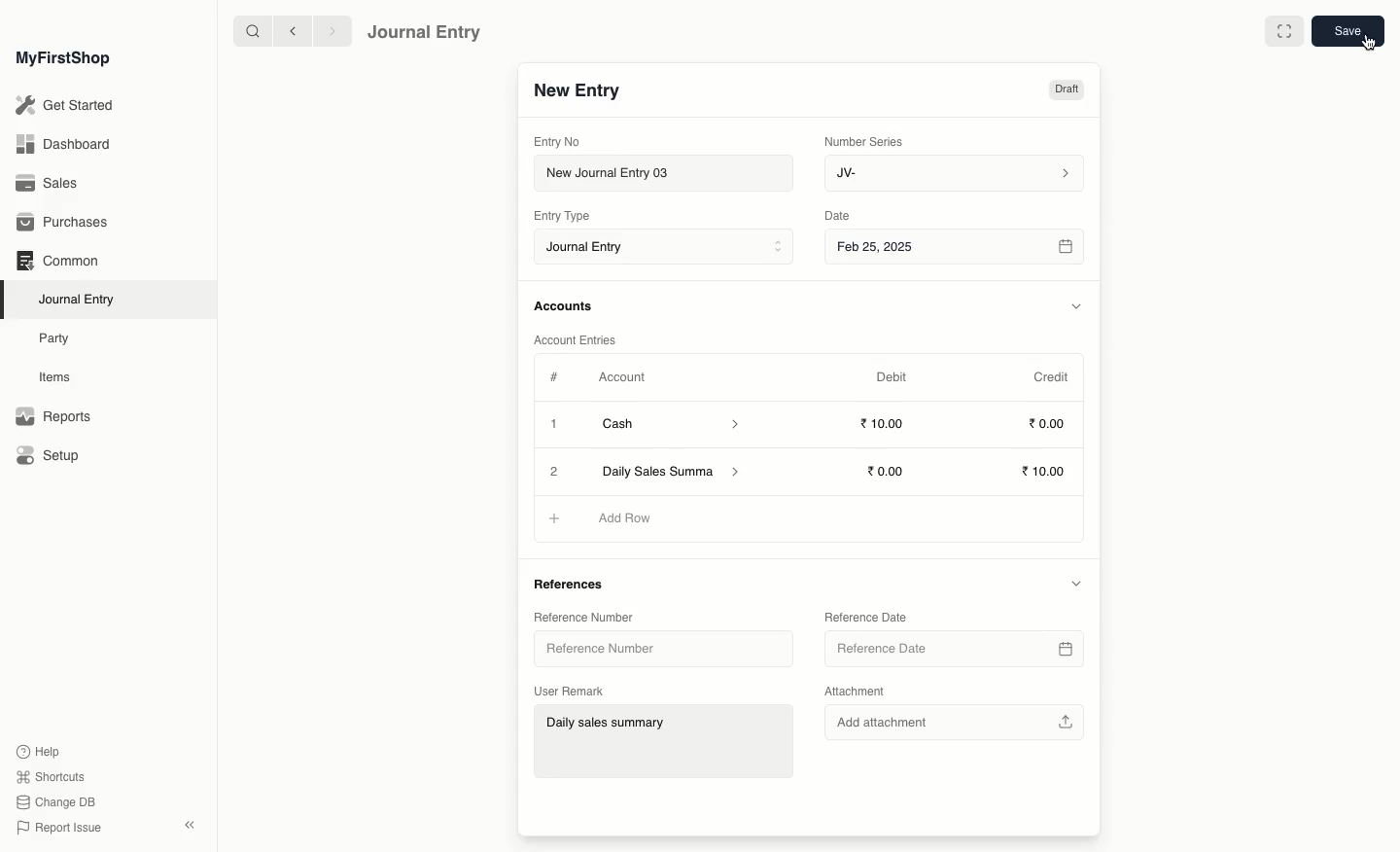 Image resolution: width=1400 pixels, height=852 pixels. I want to click on Date, so click(838, 216).